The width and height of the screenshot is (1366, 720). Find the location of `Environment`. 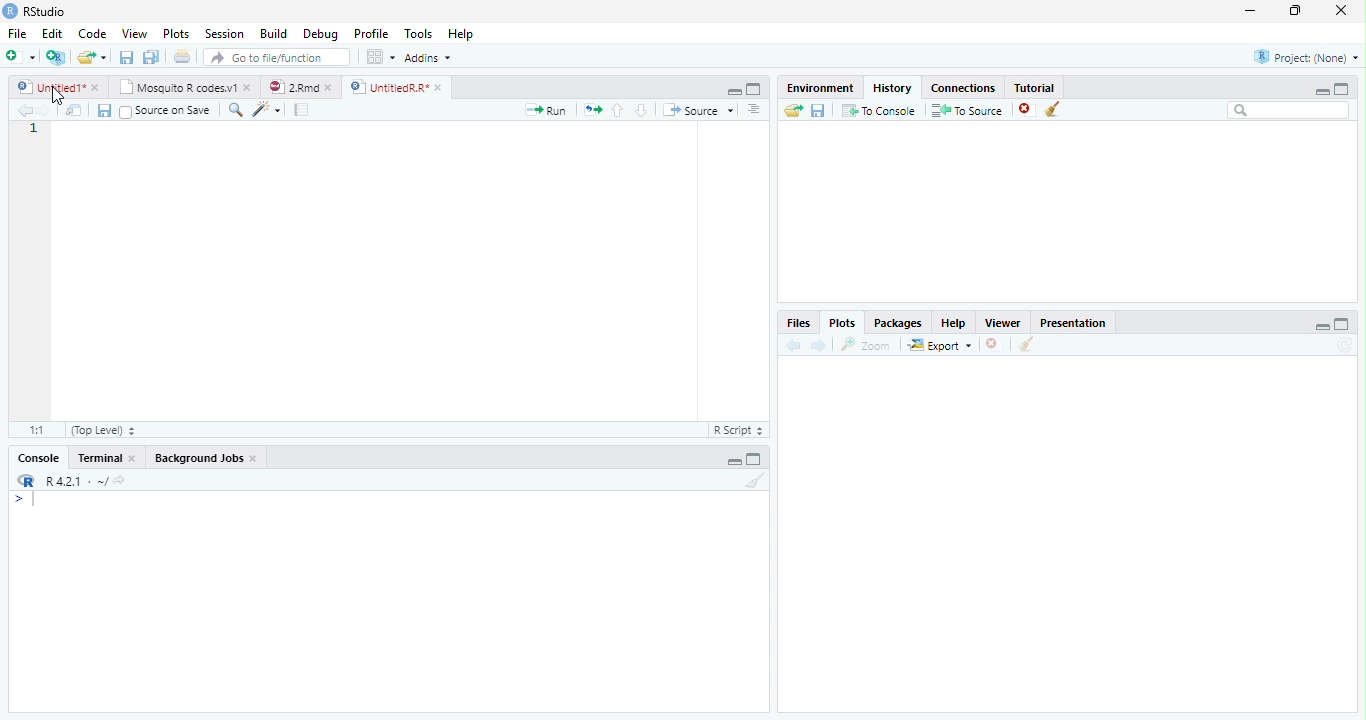

Environment is located at coordinates (820, 88).